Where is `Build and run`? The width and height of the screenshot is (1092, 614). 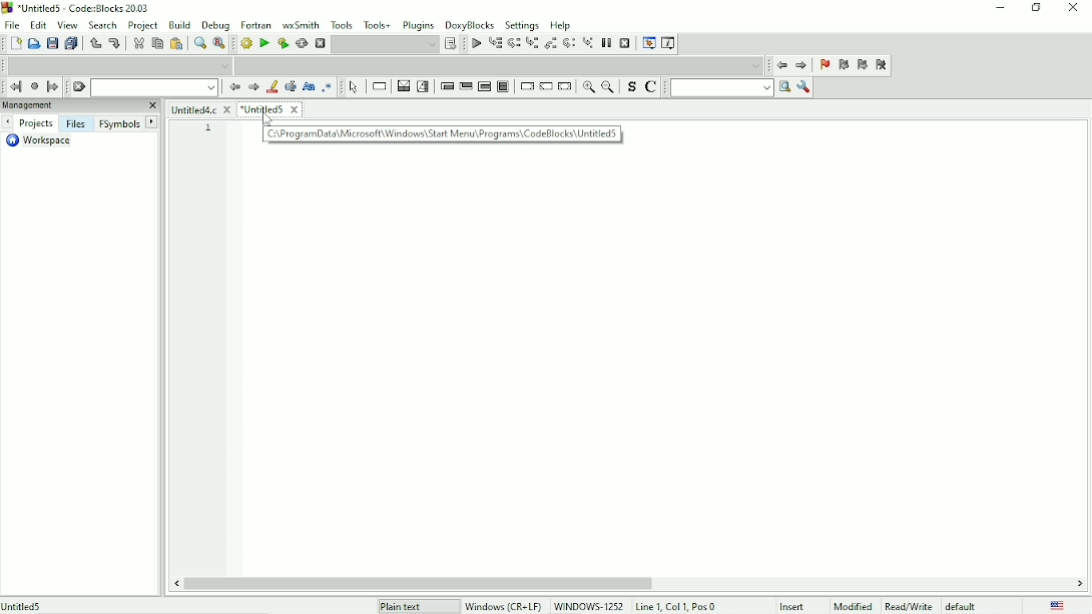 Build and run is located at coordinates (282, 43).